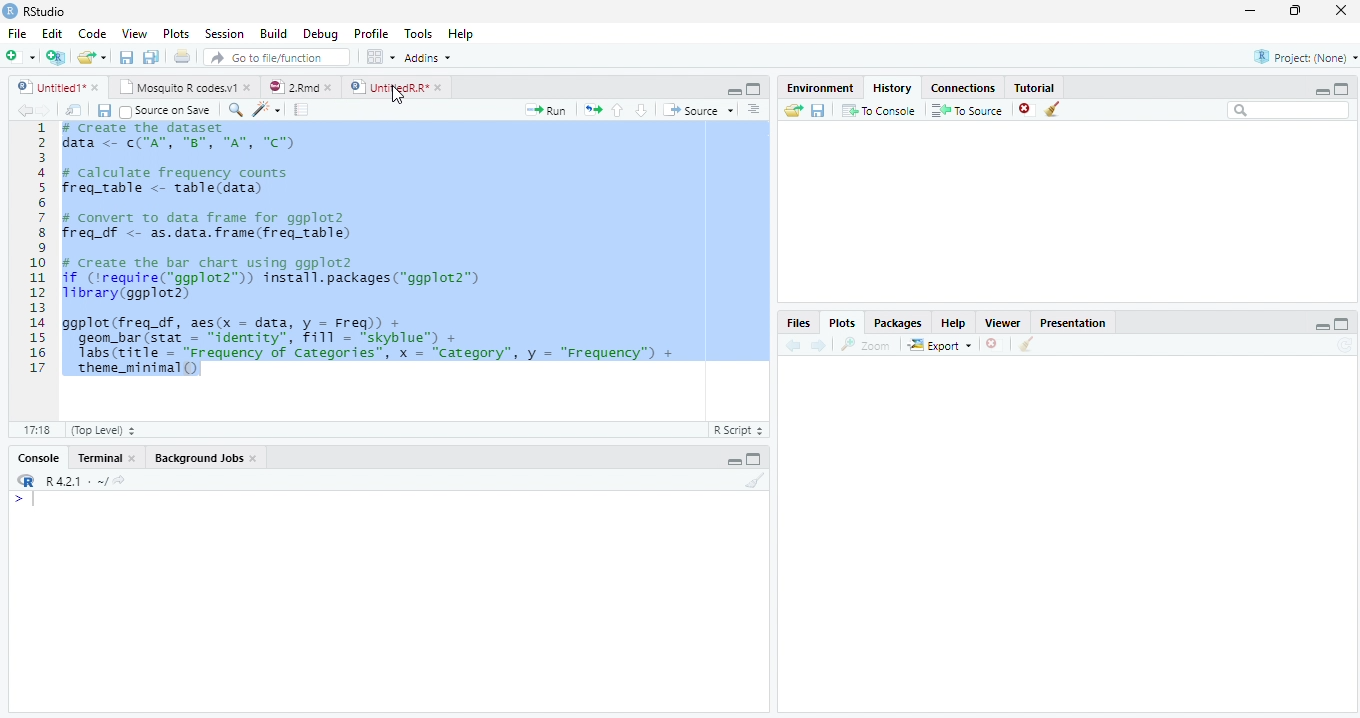 The height and width of the screenshot is (718, 1360). What do you see at coordinates (93, 58) in the screenshot?
I see `Open an existing file` at bounding box center [93, 58].